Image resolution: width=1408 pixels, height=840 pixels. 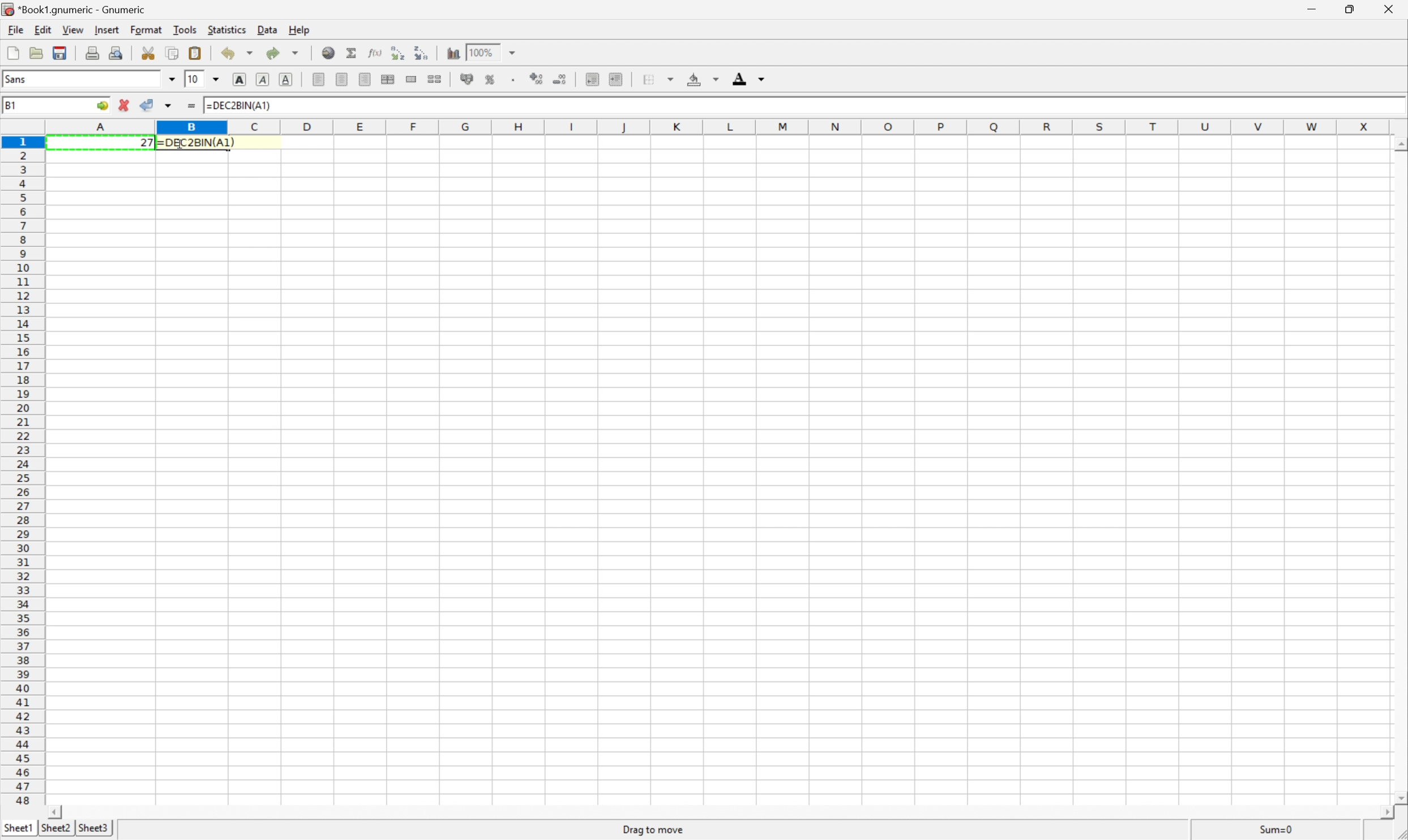 What do you see at coordinates (1399, 796) in the screenshot?
I see `Scroll Down` at bounding box center [1399, 796].